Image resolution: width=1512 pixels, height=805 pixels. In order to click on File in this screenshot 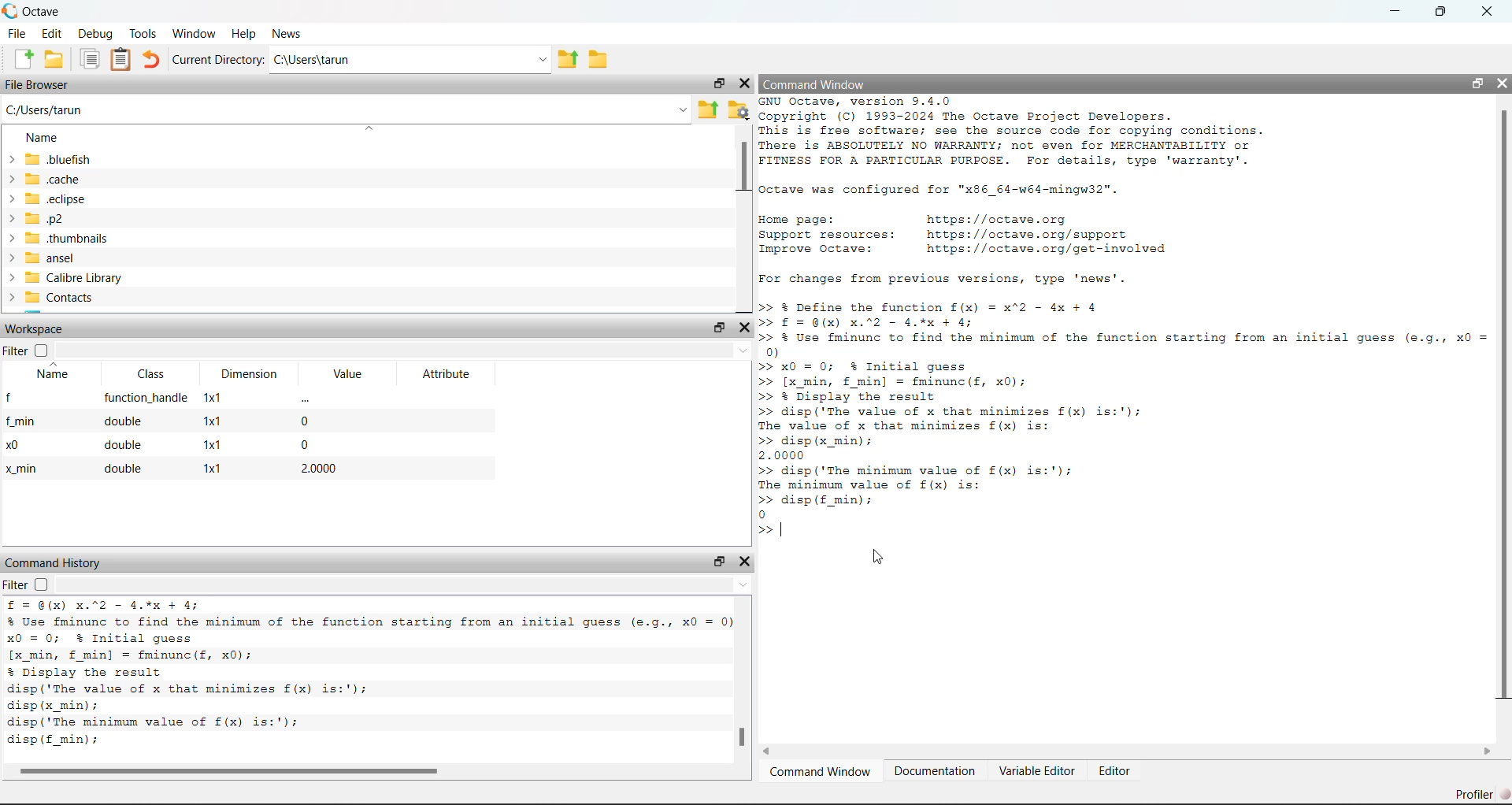, I will do `click(18, 33)`.